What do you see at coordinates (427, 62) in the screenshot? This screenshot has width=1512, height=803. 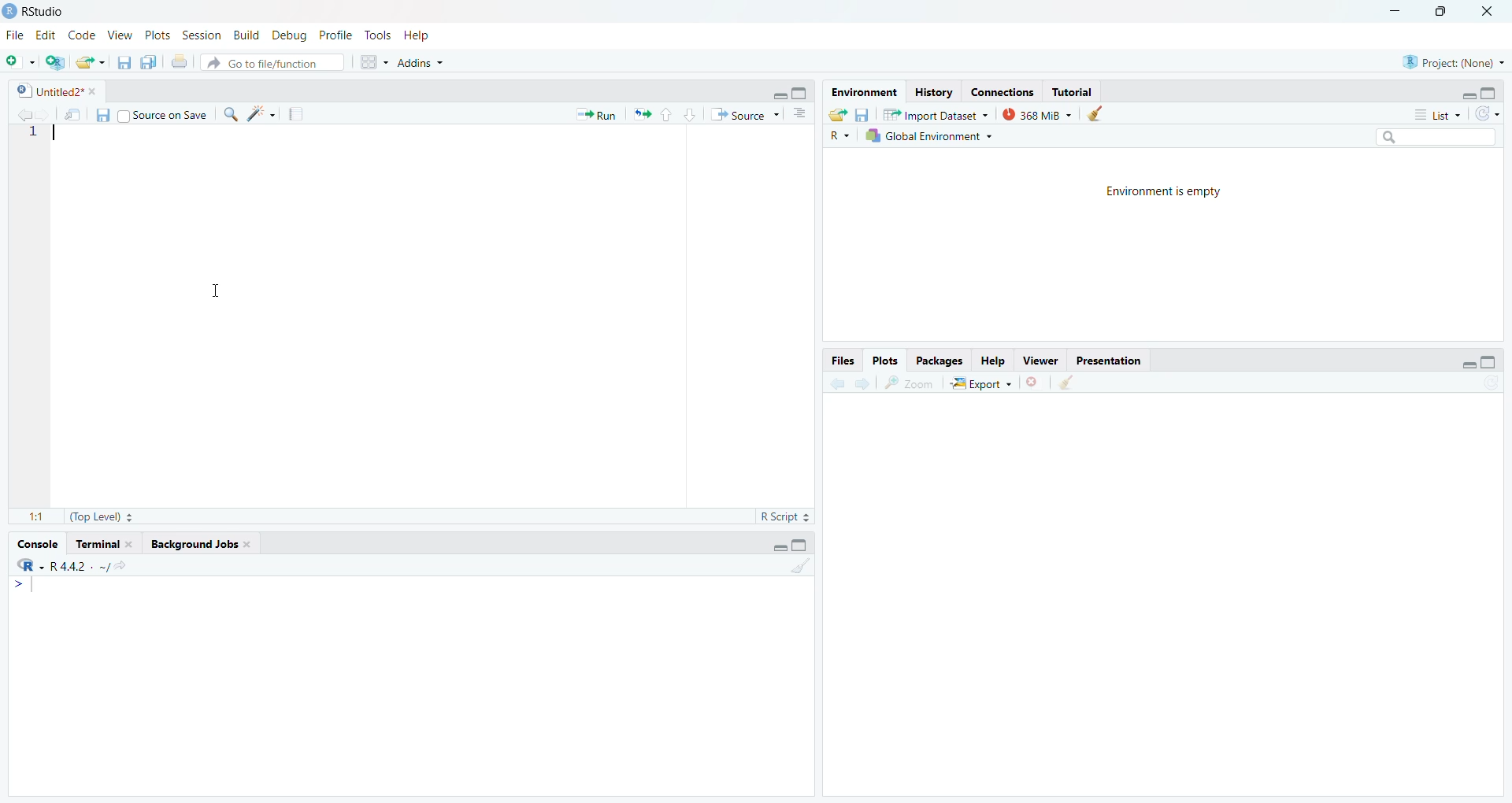 I see `+ Addins ~` at bounding box center [427, 62].